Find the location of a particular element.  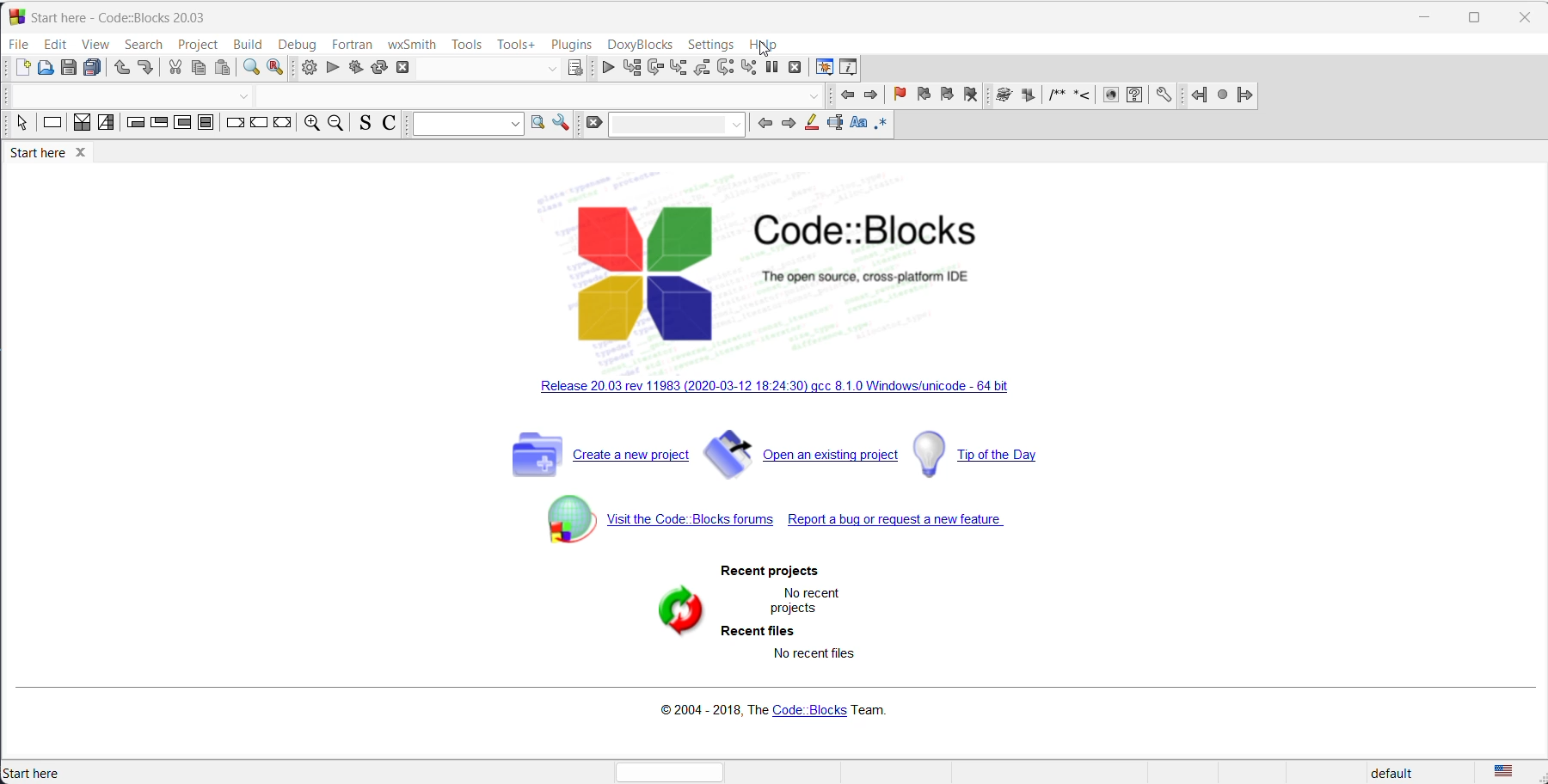

counting loop is located at coordinates (181, 127).